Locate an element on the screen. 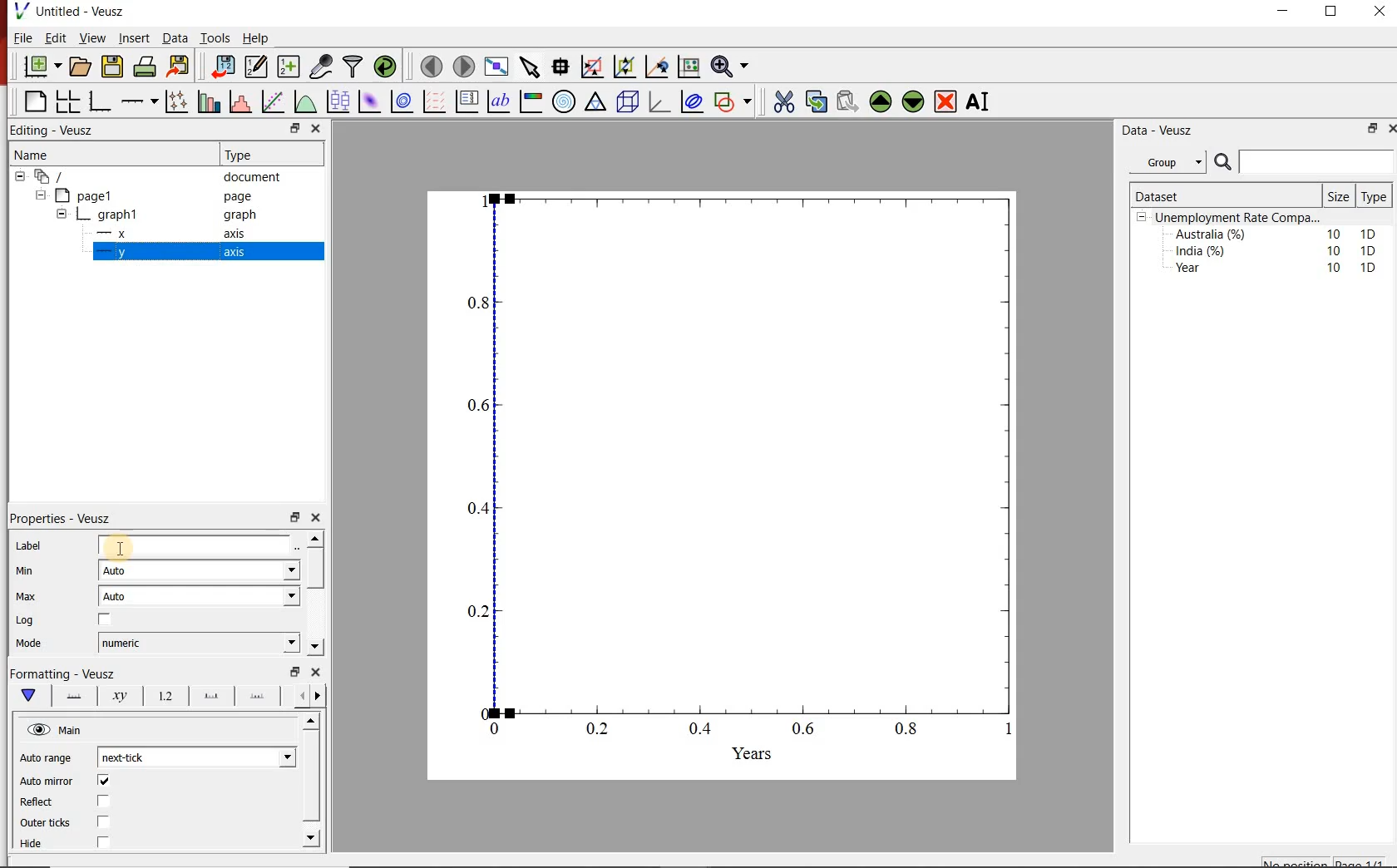 This screenshot has width=1397, height=868. axis label is located at coordinates (119, 697).